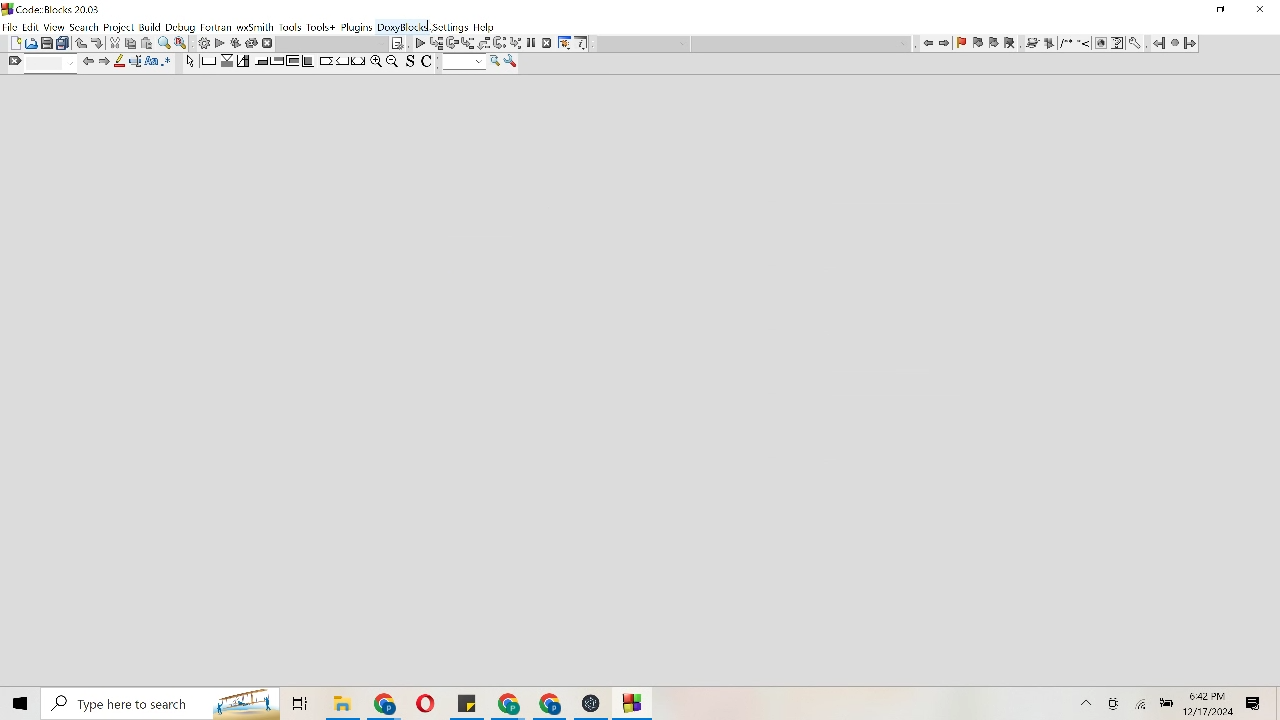  What do you see at coordinates (40, 64) in the screenshot?
I see `Find` at bounding box center [40, 64].